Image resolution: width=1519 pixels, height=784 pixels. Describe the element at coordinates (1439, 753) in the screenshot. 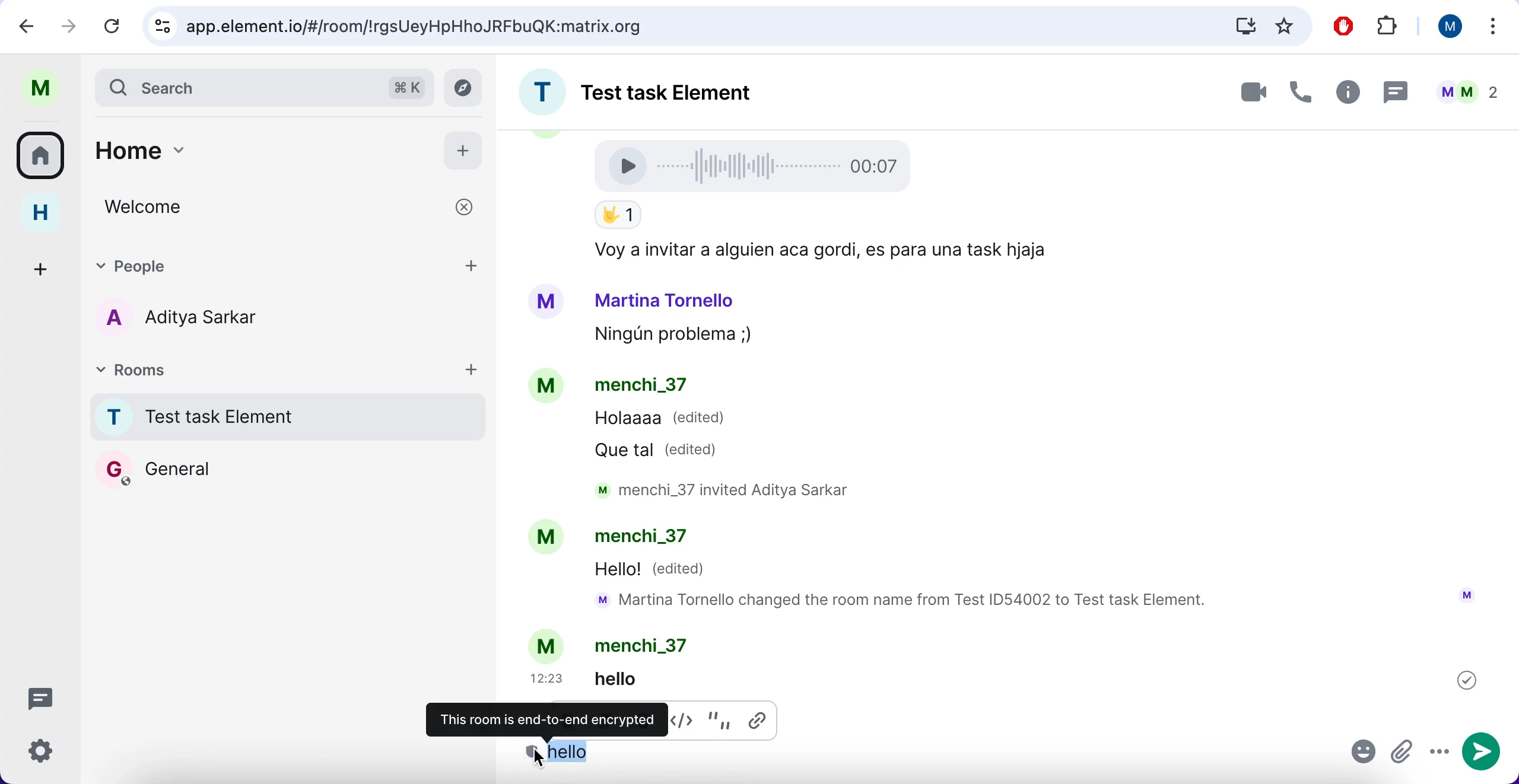

I see `more options` at that location.